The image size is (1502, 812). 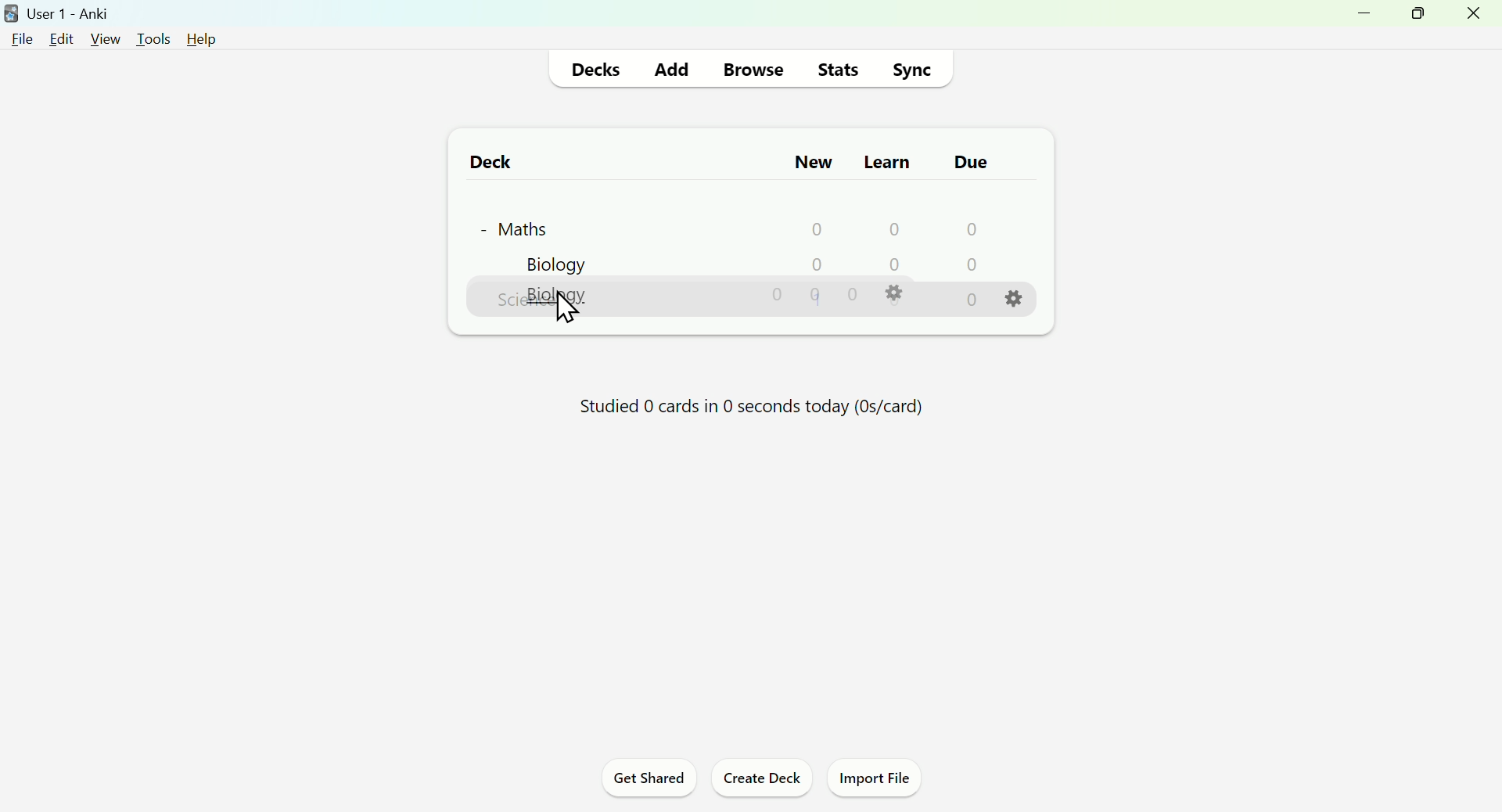 What do you see at coordinates (565, 301) in the screenshot?
I see `biology` at bounding box center [565, 301].